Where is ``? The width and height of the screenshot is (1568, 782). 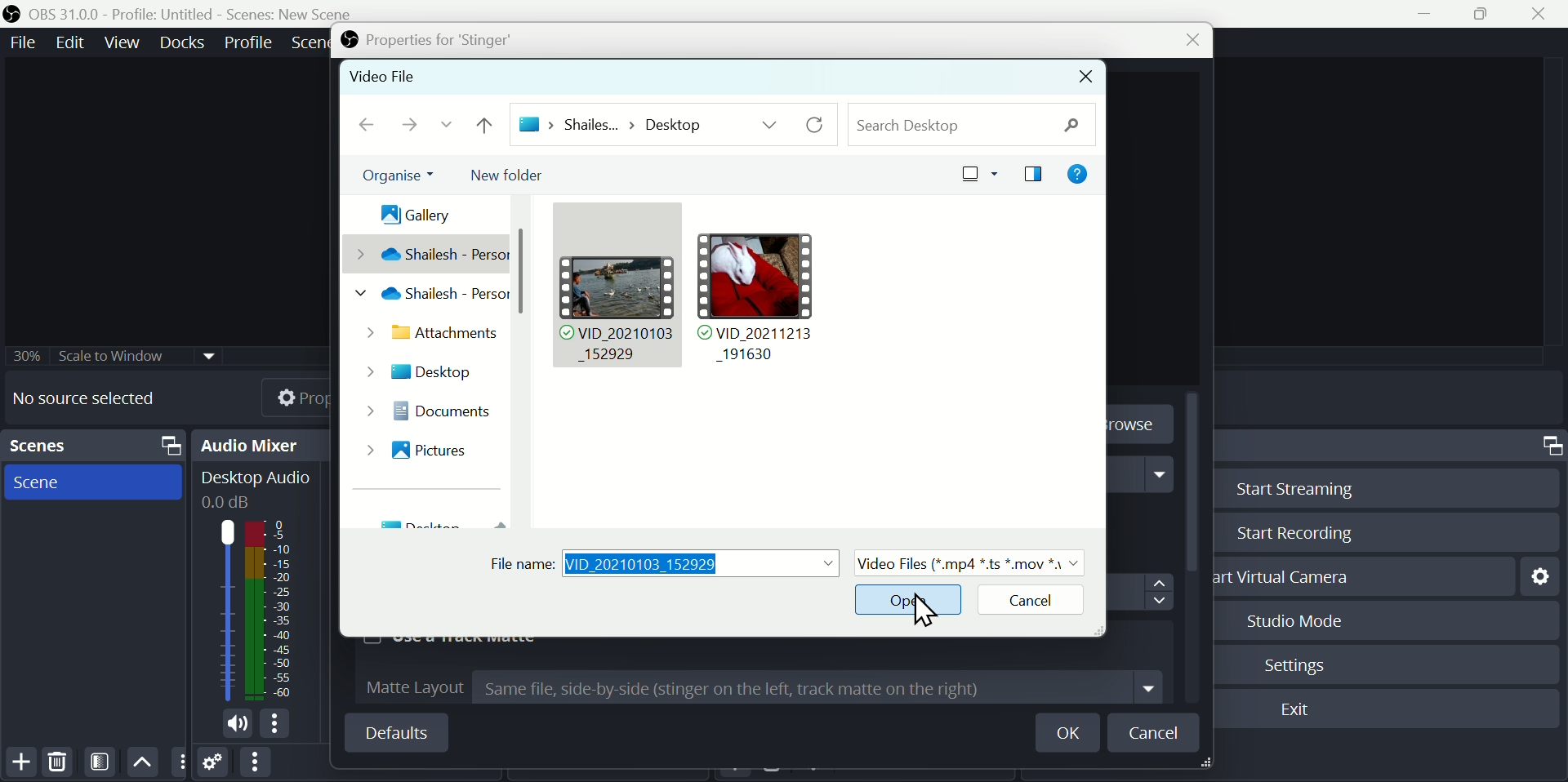  is located at coordinates (20, 42).